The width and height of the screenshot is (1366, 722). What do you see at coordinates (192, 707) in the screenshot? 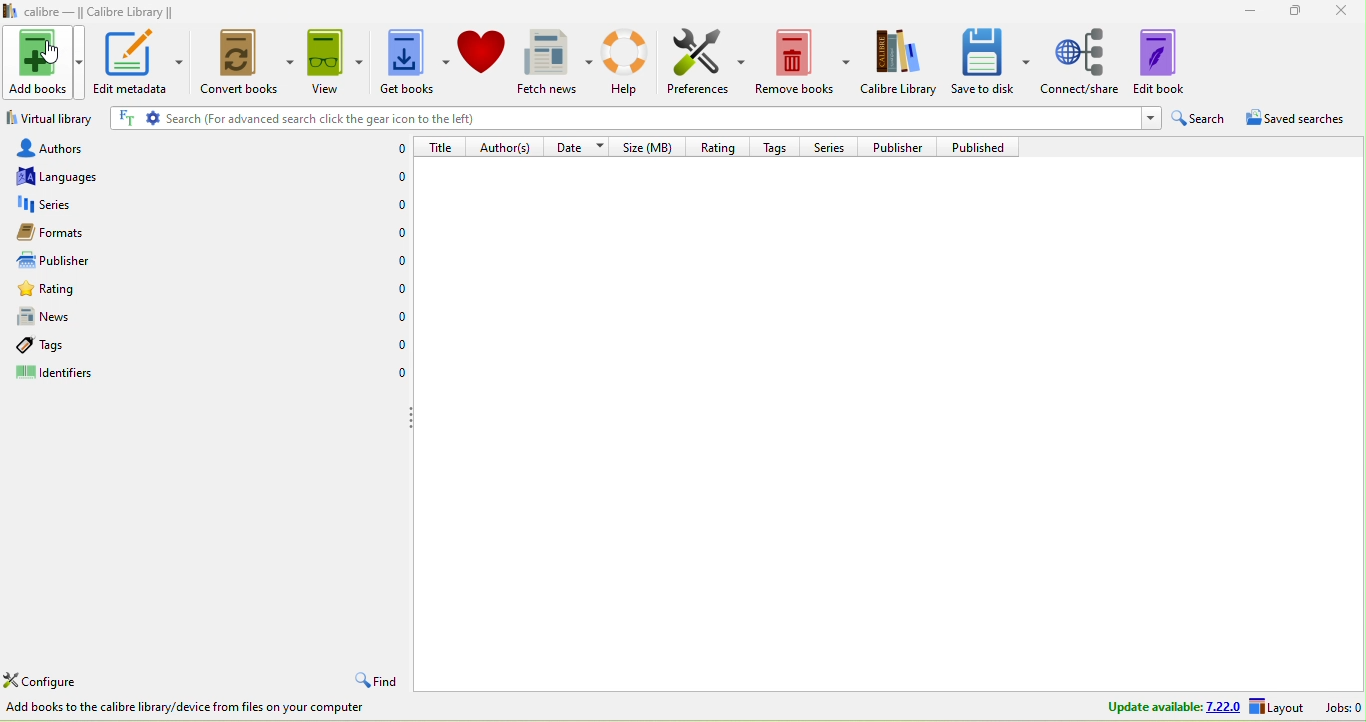
I see `add books to the calibre library /device from files on your computer` at bounding box center [192, 707].